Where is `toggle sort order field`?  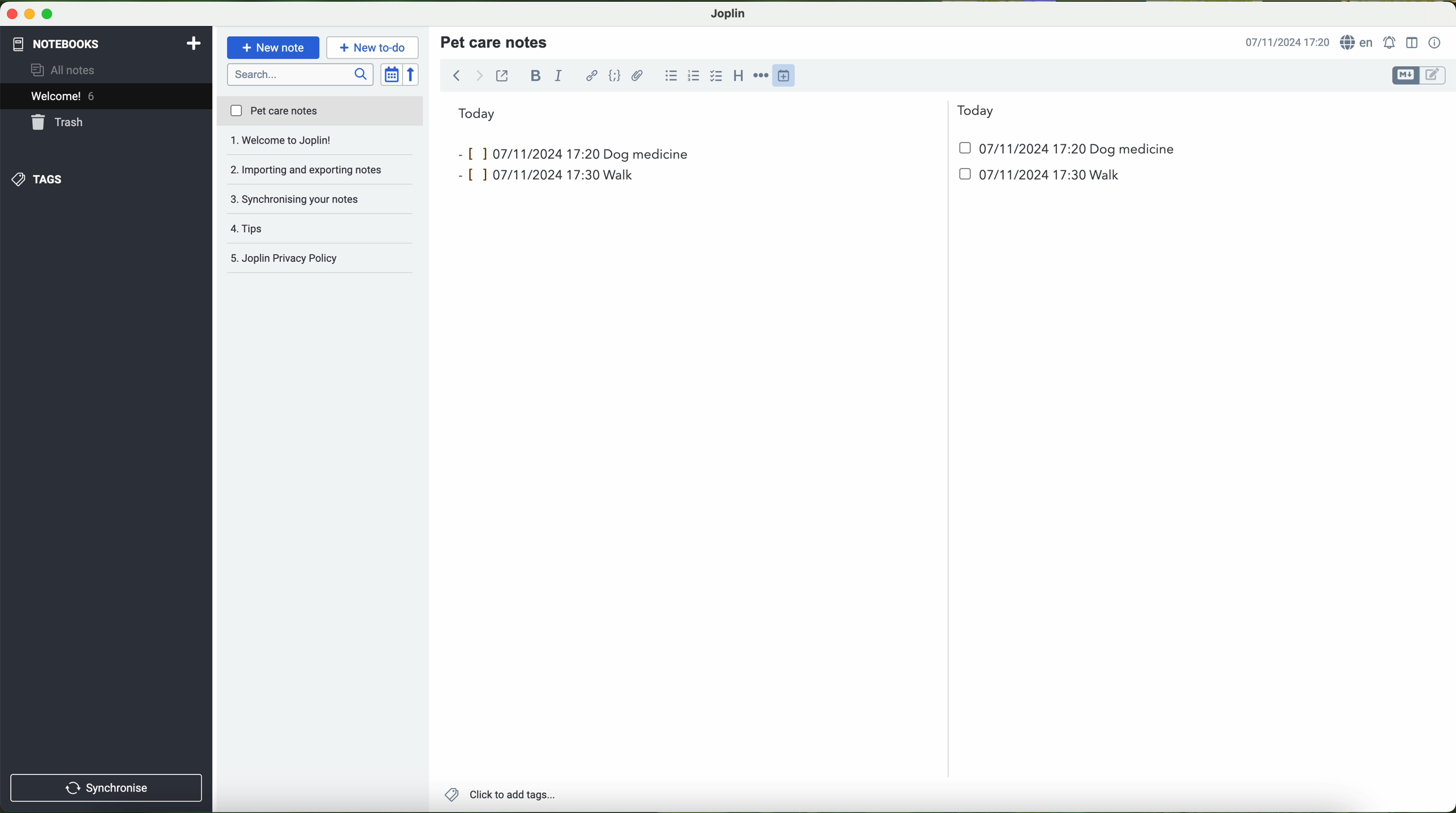 toggle sort order field is located at coordinates (392, 75).